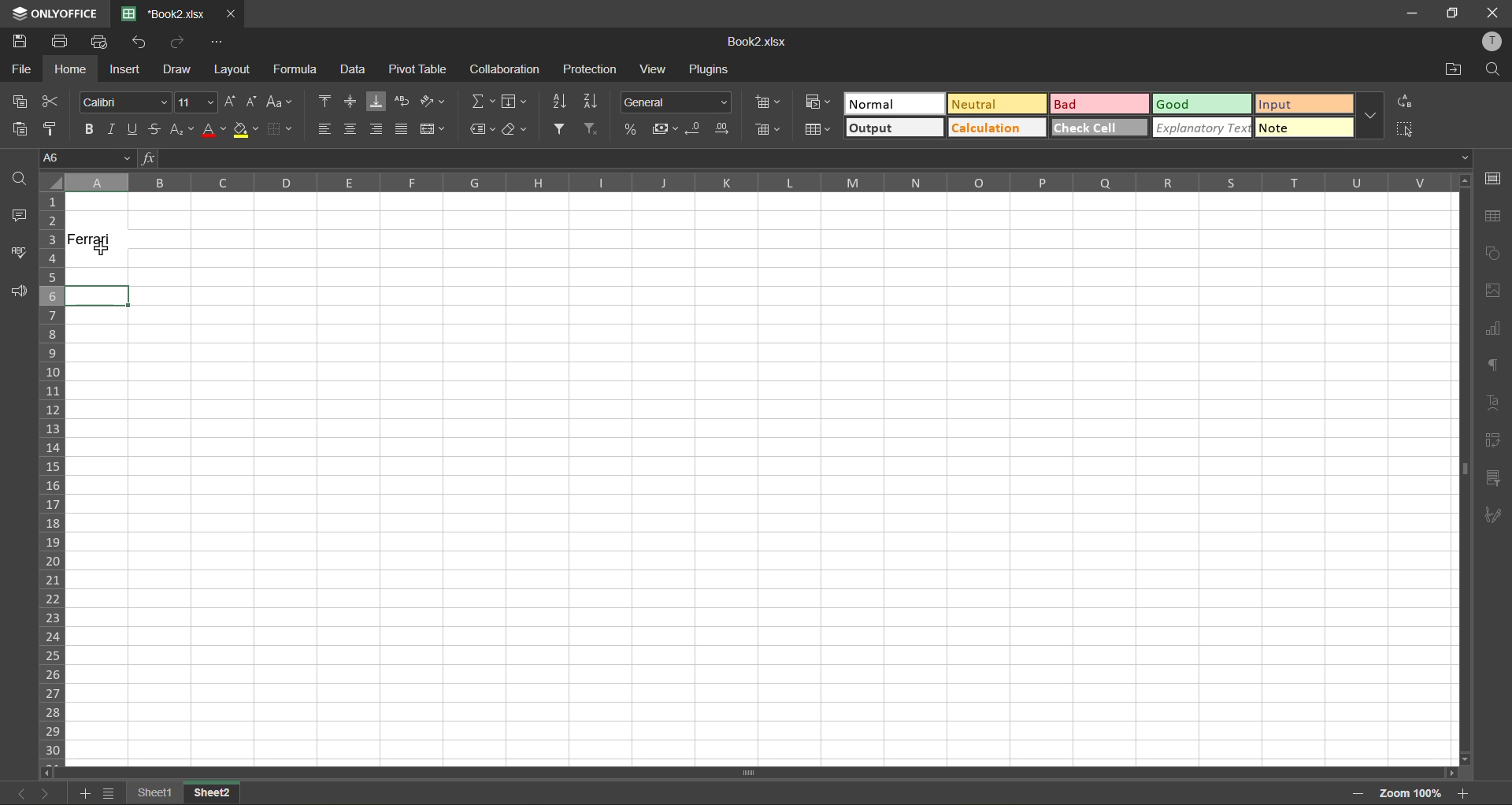 This screenshot has height=805, width=1512. I want to click on file, so click(20, 70).